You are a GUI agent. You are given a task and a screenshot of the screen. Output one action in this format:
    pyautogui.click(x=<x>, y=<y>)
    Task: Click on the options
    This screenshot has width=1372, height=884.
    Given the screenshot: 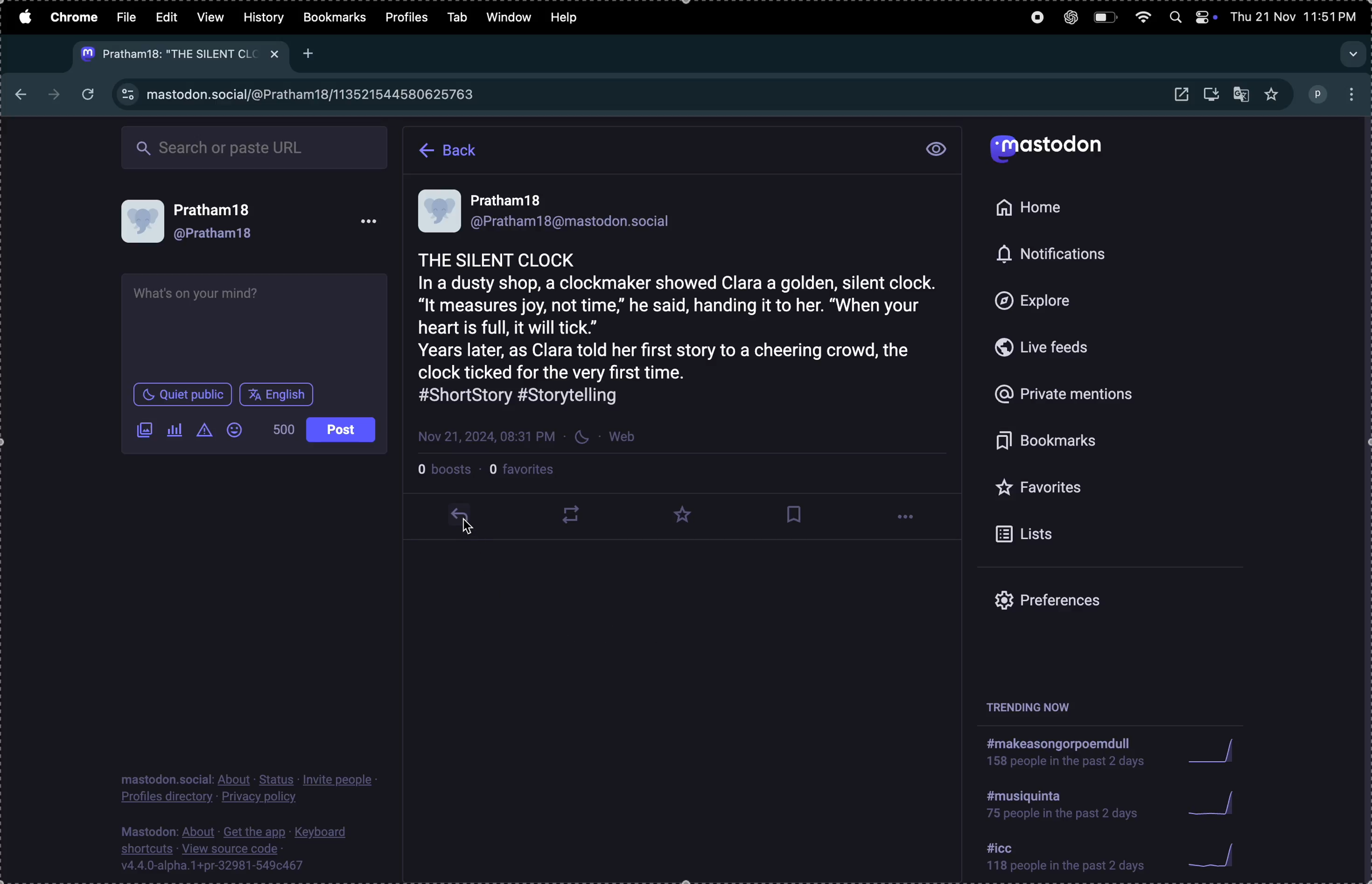 What is the action you would take?
    pyautogui.click(x=1352, y=94)
    